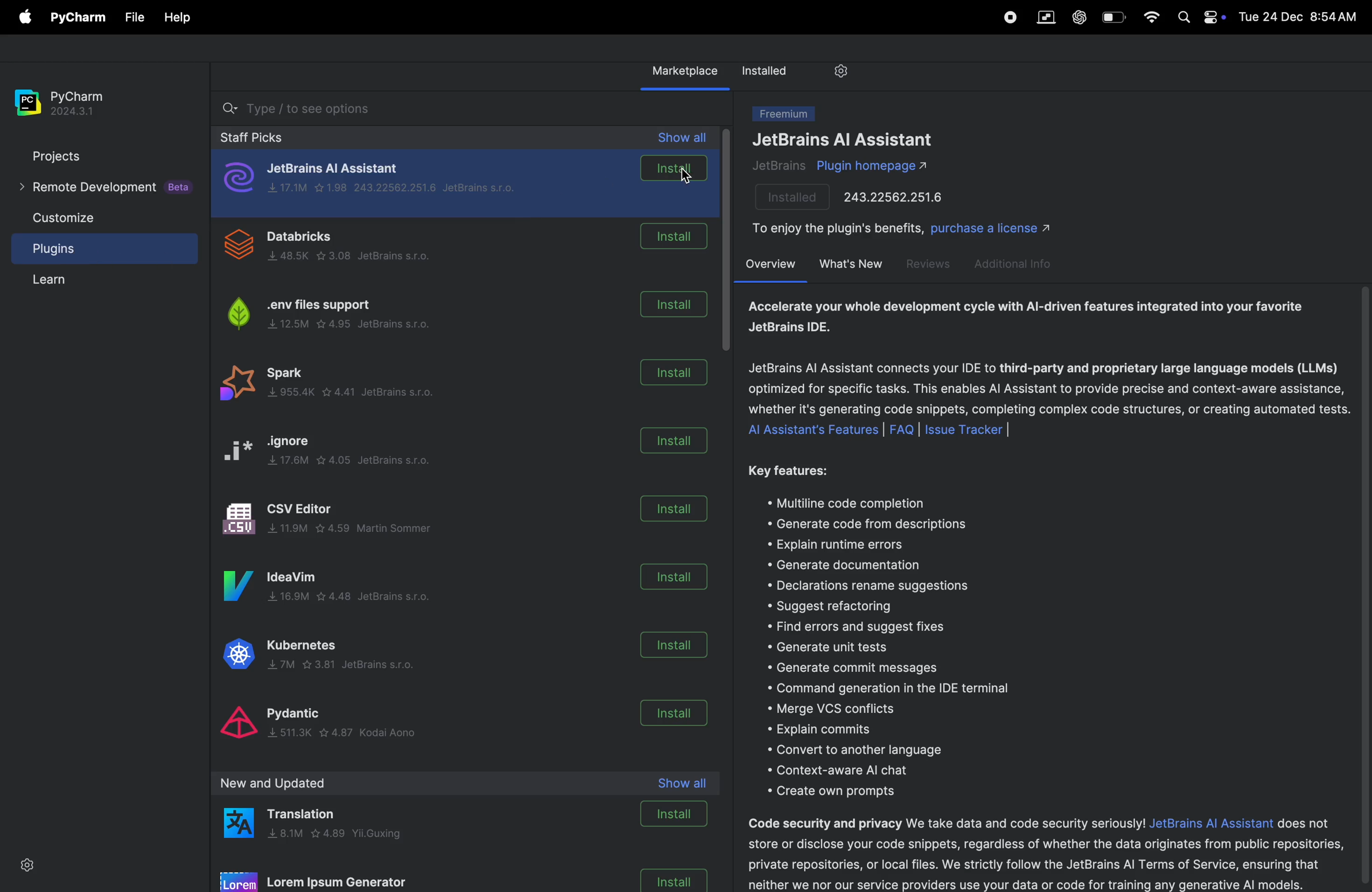  What do you see at coordinates (1076, 16) in the screenshot?
I see `chatgpt` at bounding box center [1076, 16].